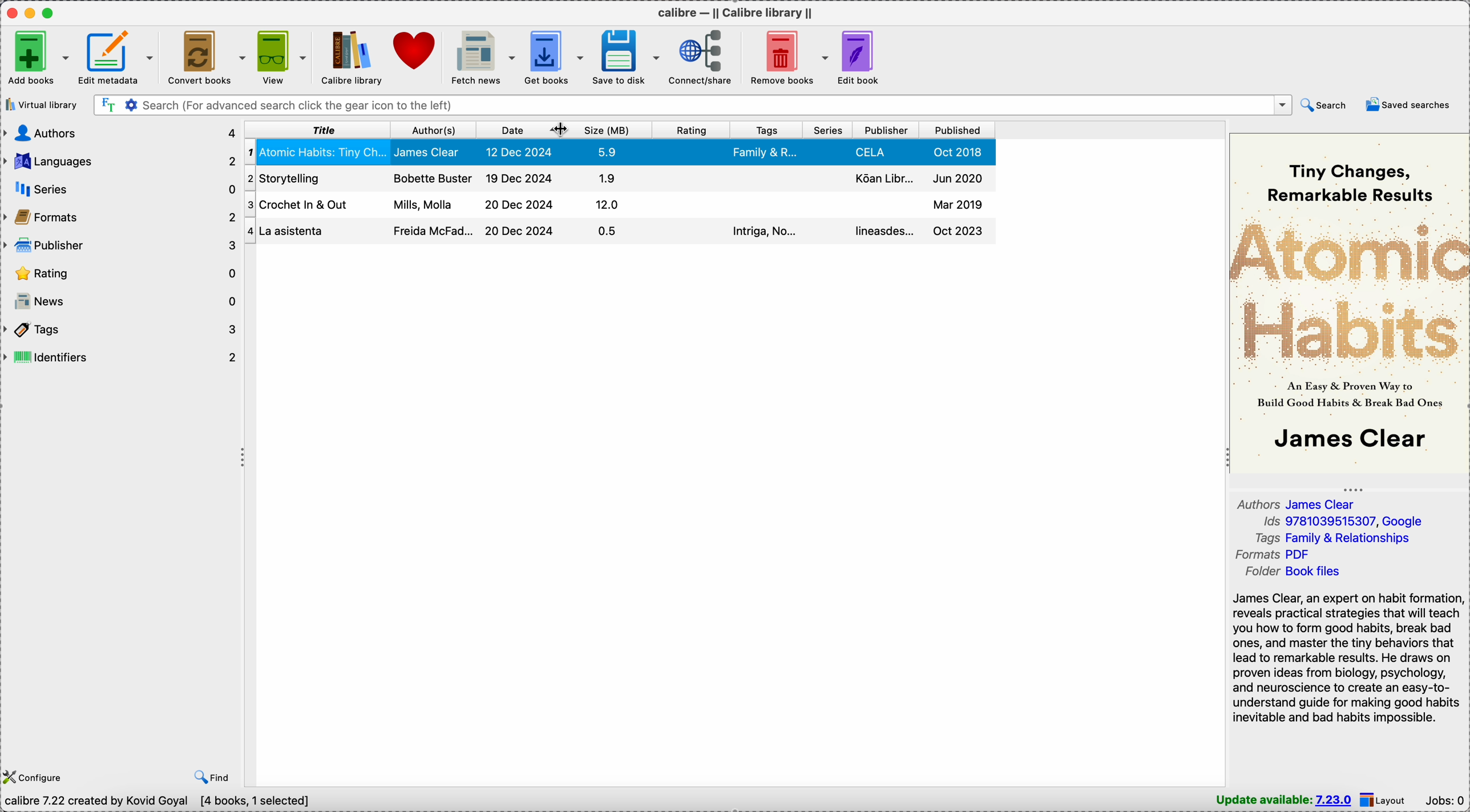  What do you see at coordinates (208, 56) in the screenshot?
I see `convert books` at bounding box center [208, 56].